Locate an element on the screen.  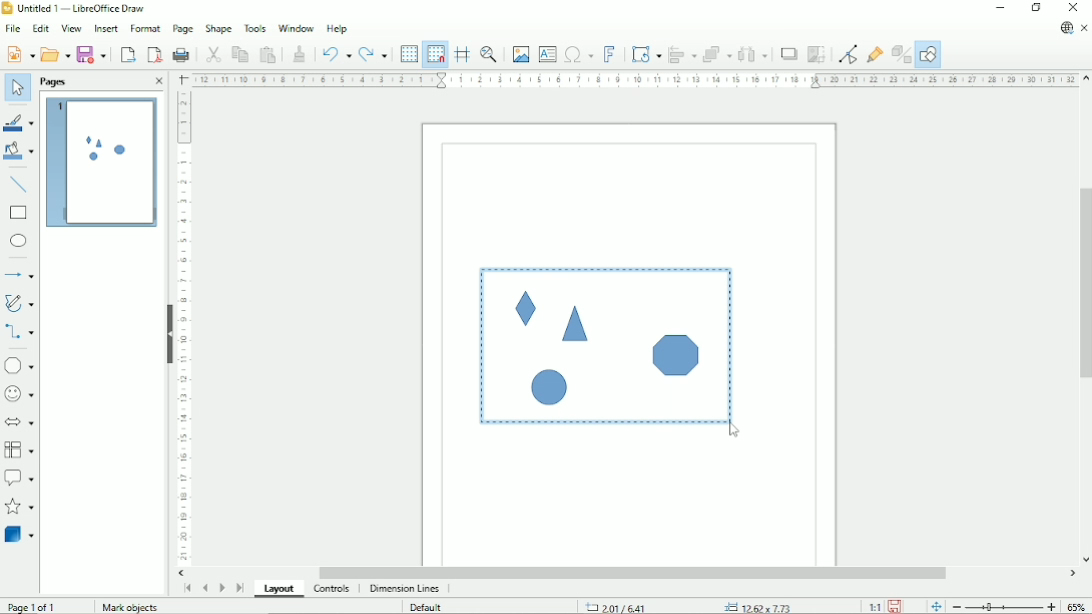
Update available is located at coordinates (1066, 28).